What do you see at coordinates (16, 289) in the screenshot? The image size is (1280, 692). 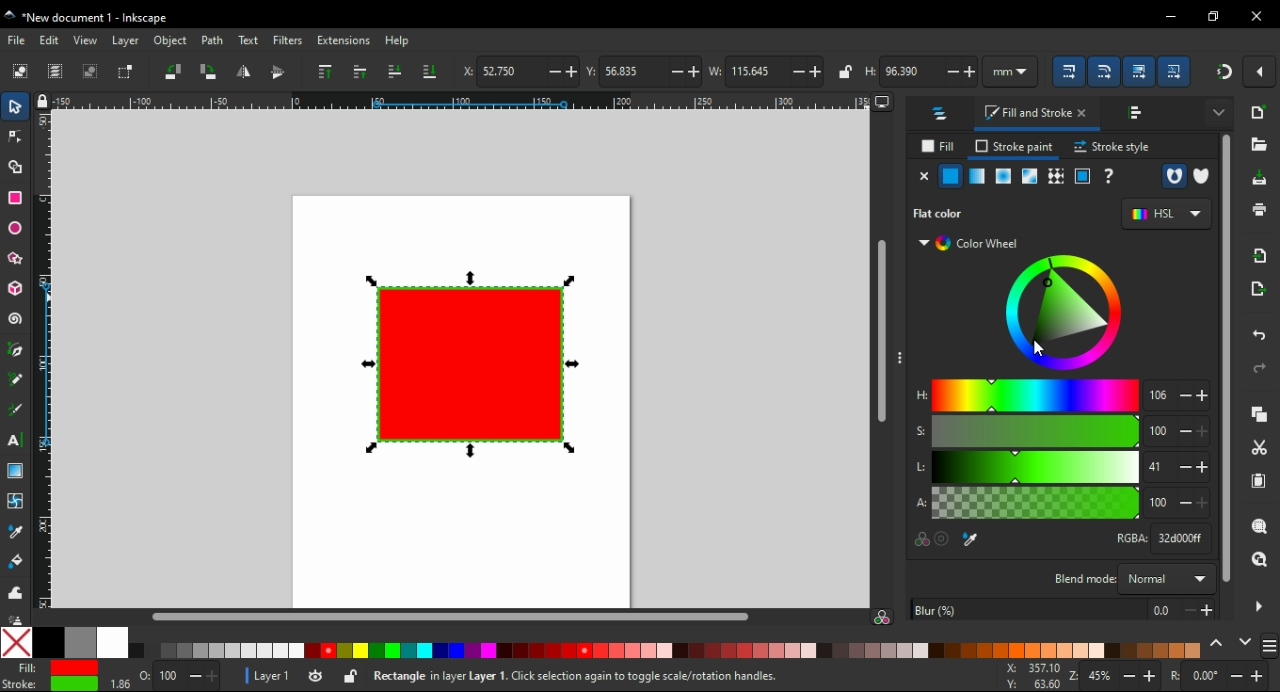 I see `3D box tool` at bounding box center [16, 289].